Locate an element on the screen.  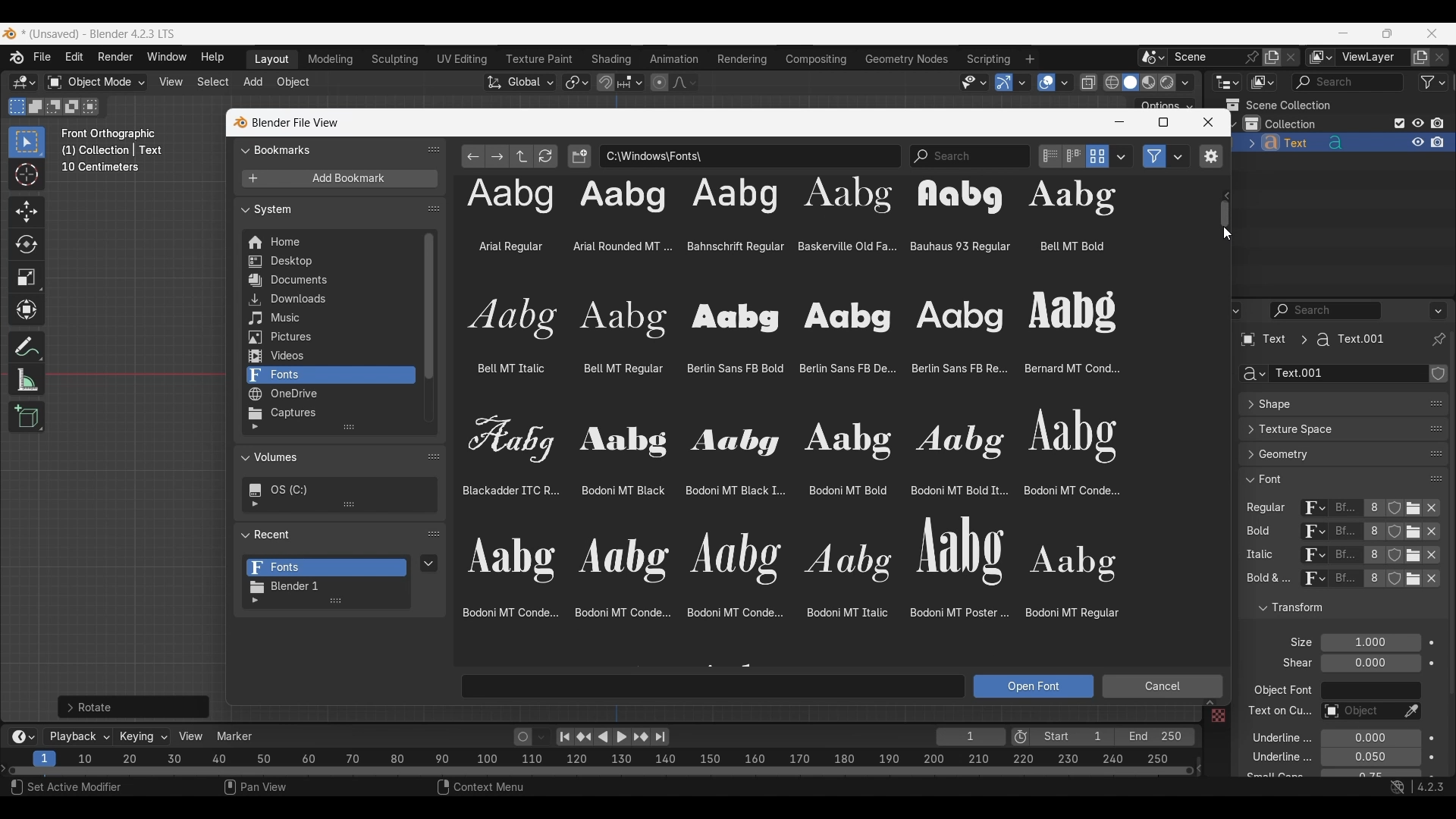
Jump to key frame is located at coordinates (641, 737).